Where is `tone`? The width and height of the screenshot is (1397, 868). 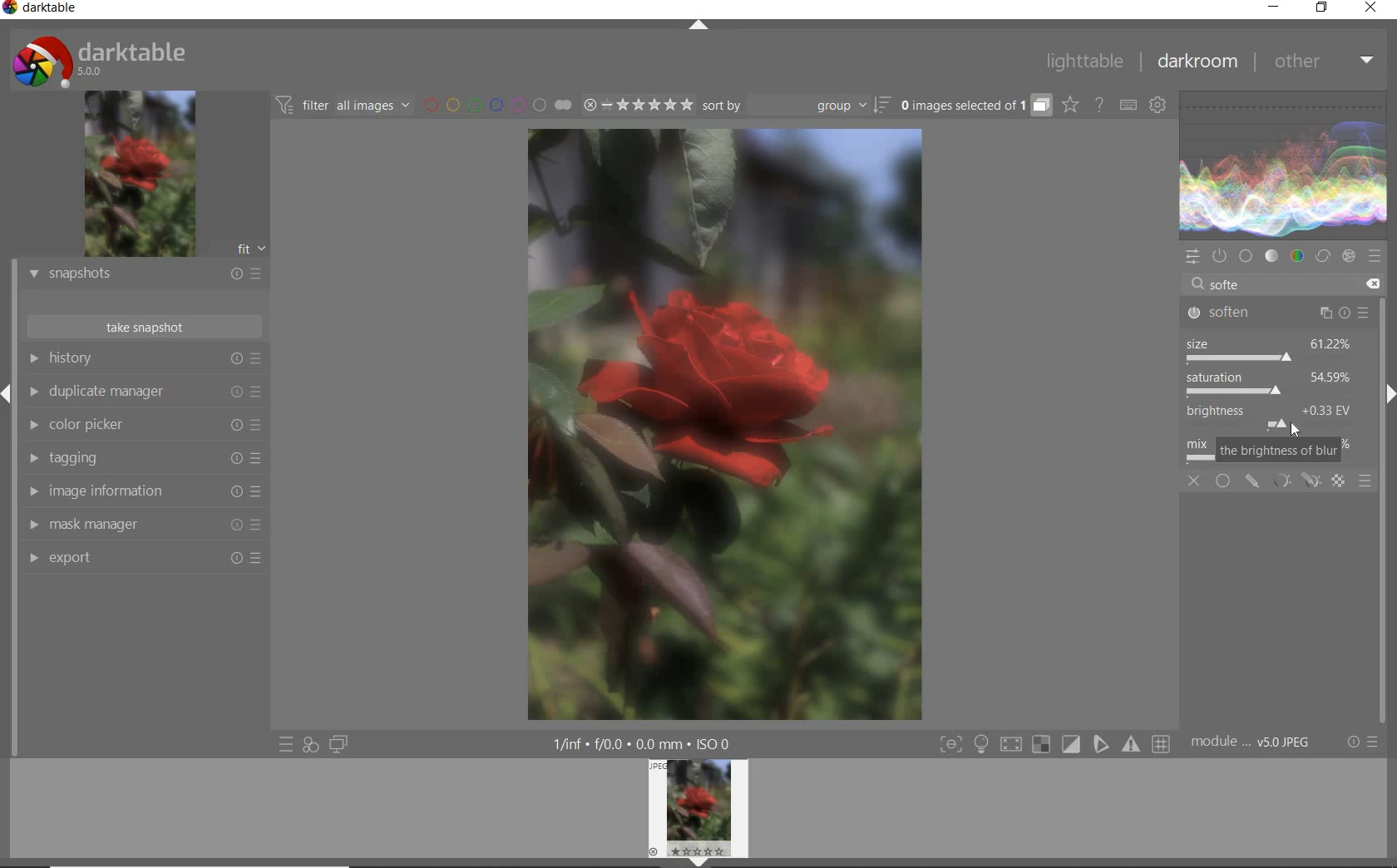 tone is located at coordinates (1271, 257).